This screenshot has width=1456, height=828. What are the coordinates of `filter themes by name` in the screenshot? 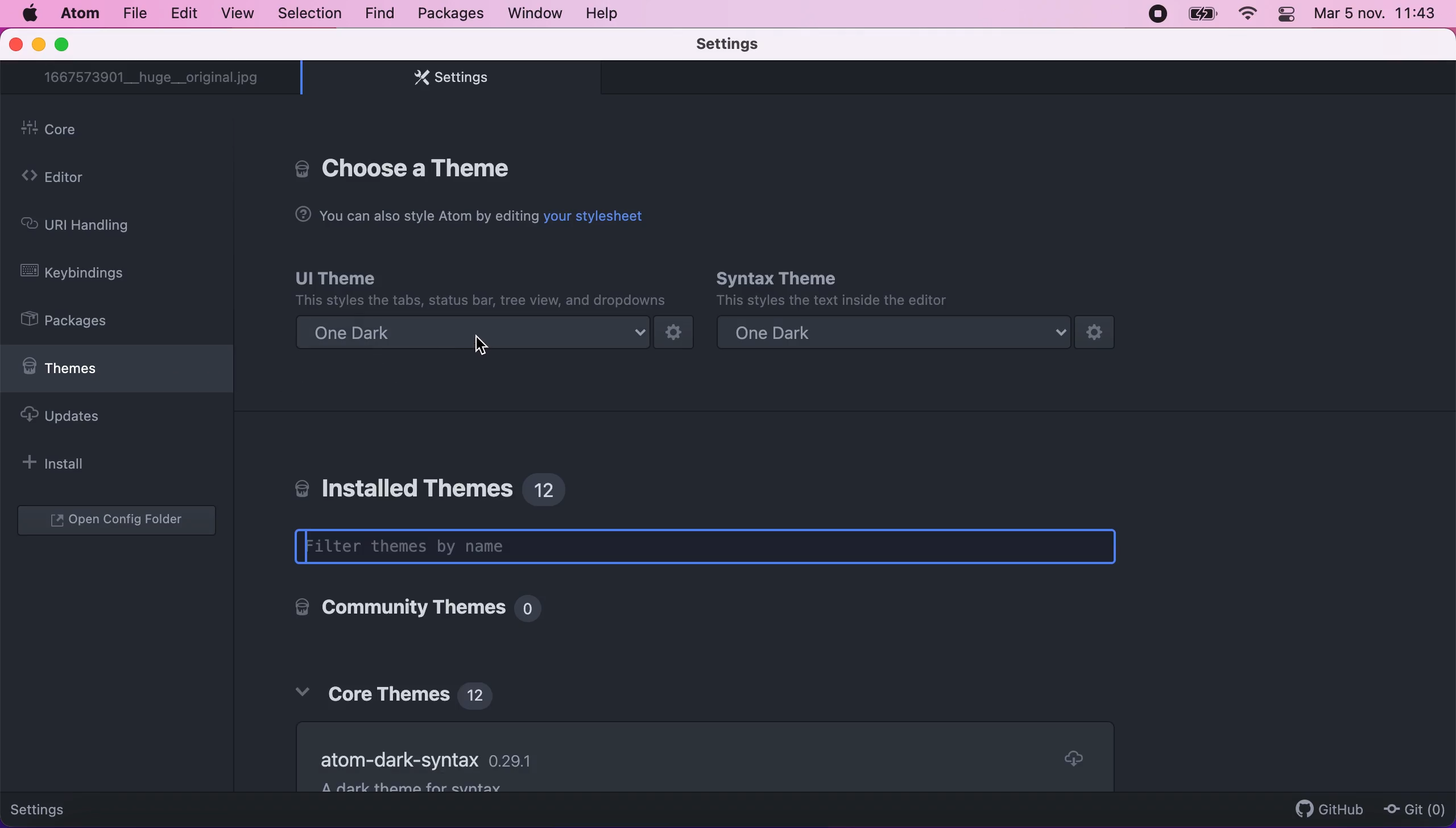 It's located at (720, 548).